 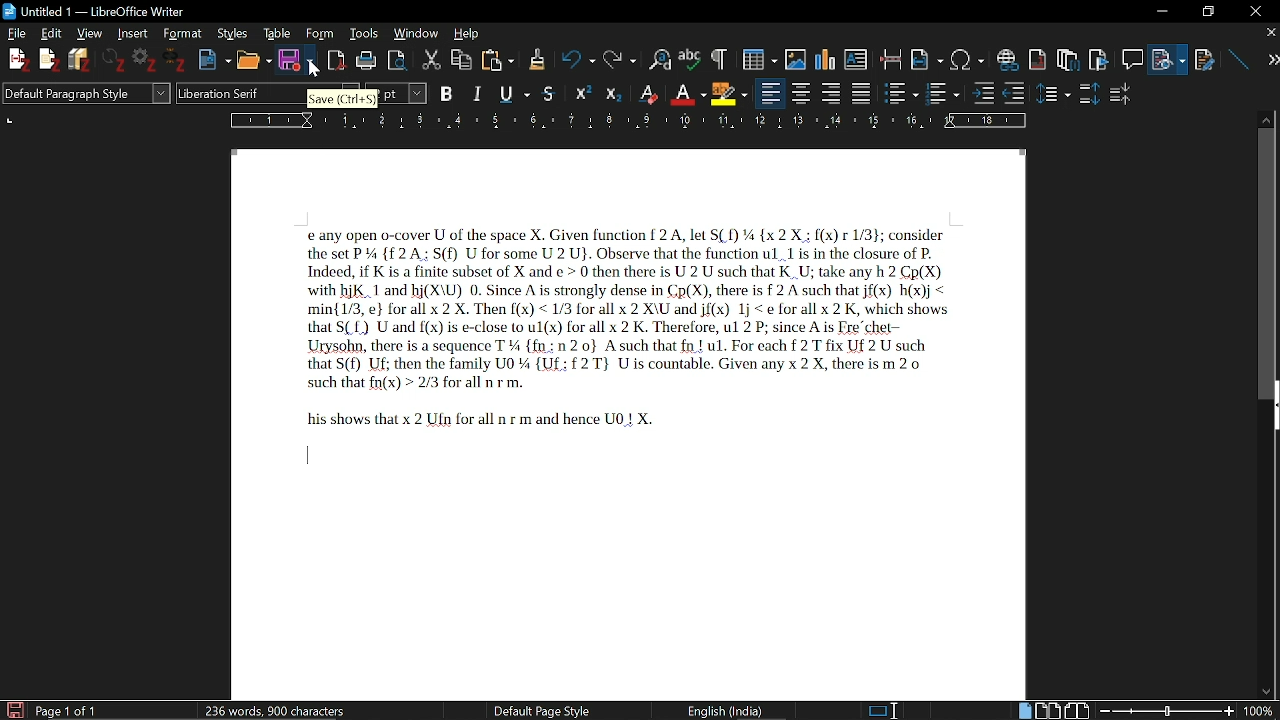 What do you see at coordinates (687, 91) in the screenshot?
I see `Subscript` at bounding box center [687, 91].